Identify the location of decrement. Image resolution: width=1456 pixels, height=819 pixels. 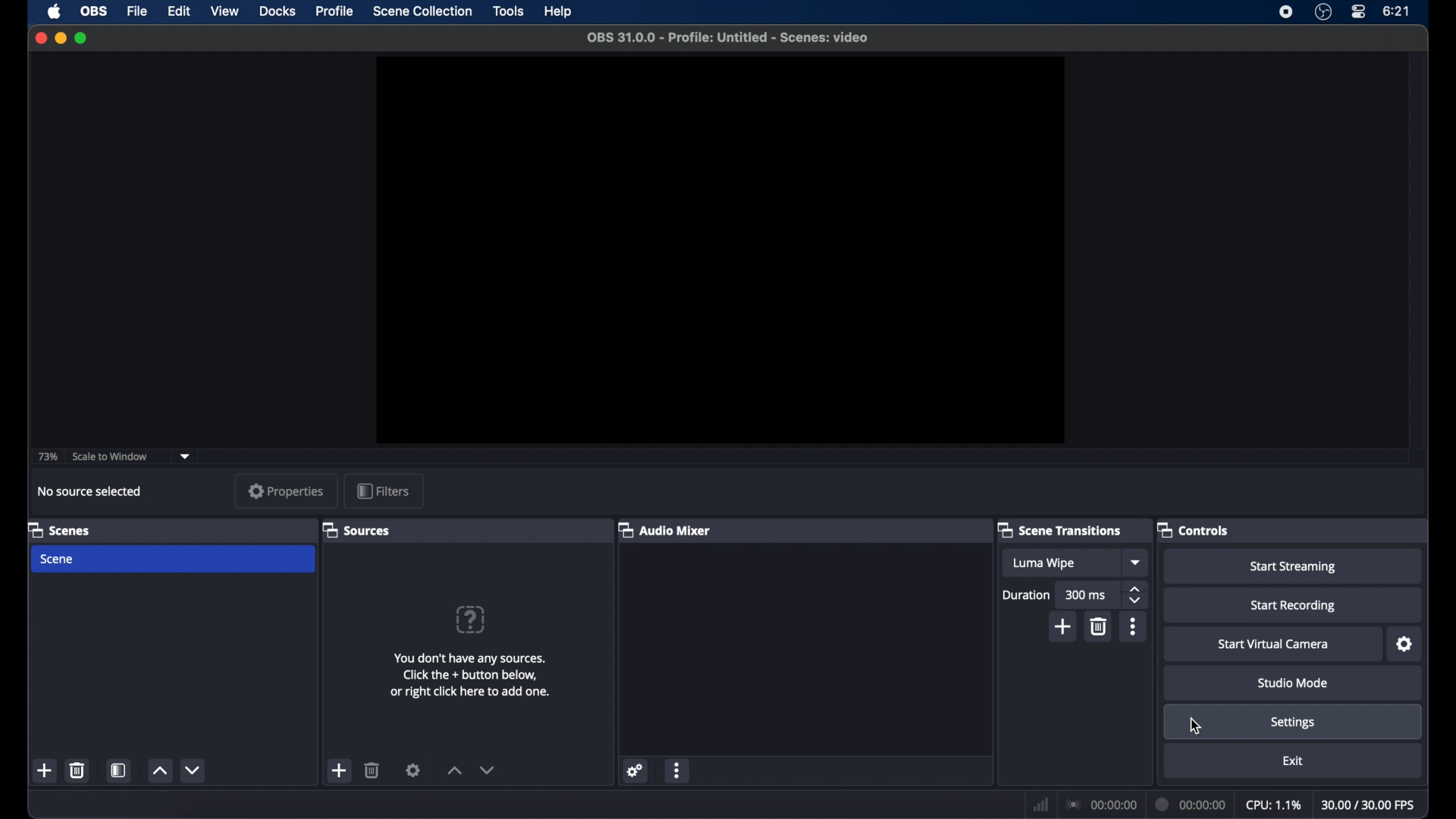
(488, 770).